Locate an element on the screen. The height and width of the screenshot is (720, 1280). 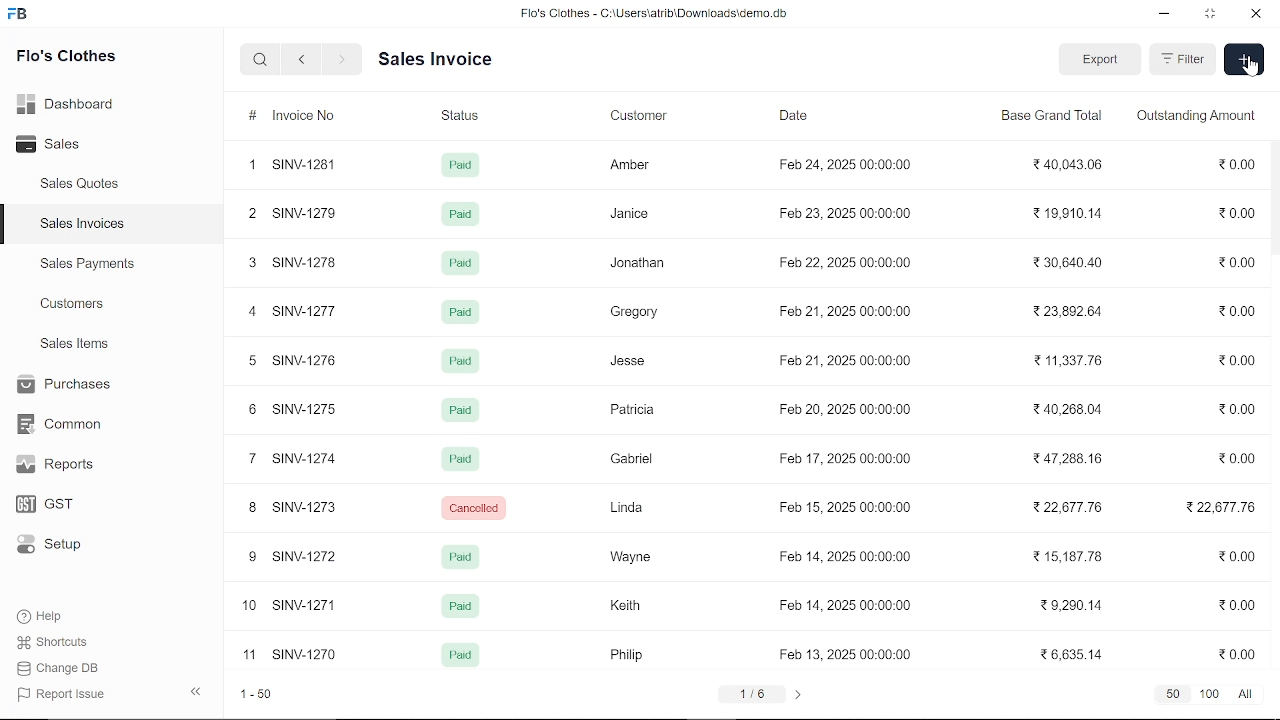
restore down is located at coordinates (1207, 15).